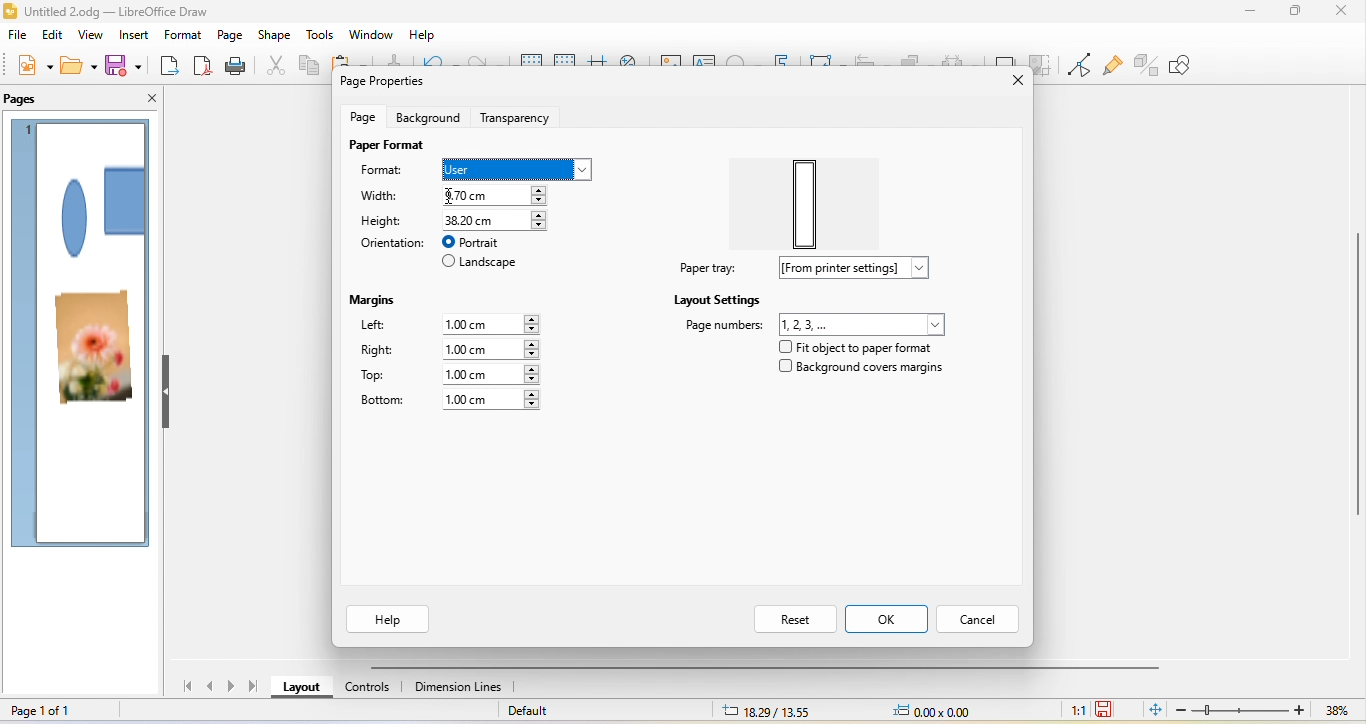 The height and width of the screenshot is (724, 1366). I want to click on previous page, so click(214, 689).